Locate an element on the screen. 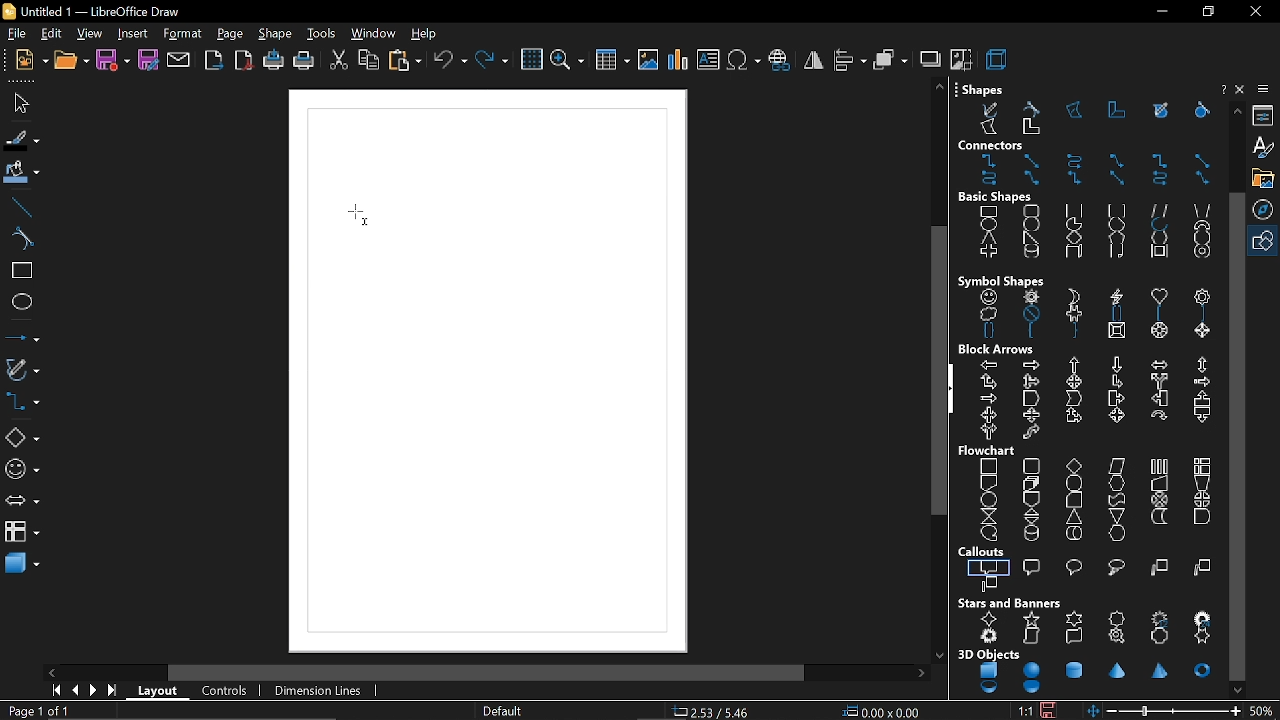 The width and height of the screenshot is (1280, 720). next page is located at coordinates (91, 692).